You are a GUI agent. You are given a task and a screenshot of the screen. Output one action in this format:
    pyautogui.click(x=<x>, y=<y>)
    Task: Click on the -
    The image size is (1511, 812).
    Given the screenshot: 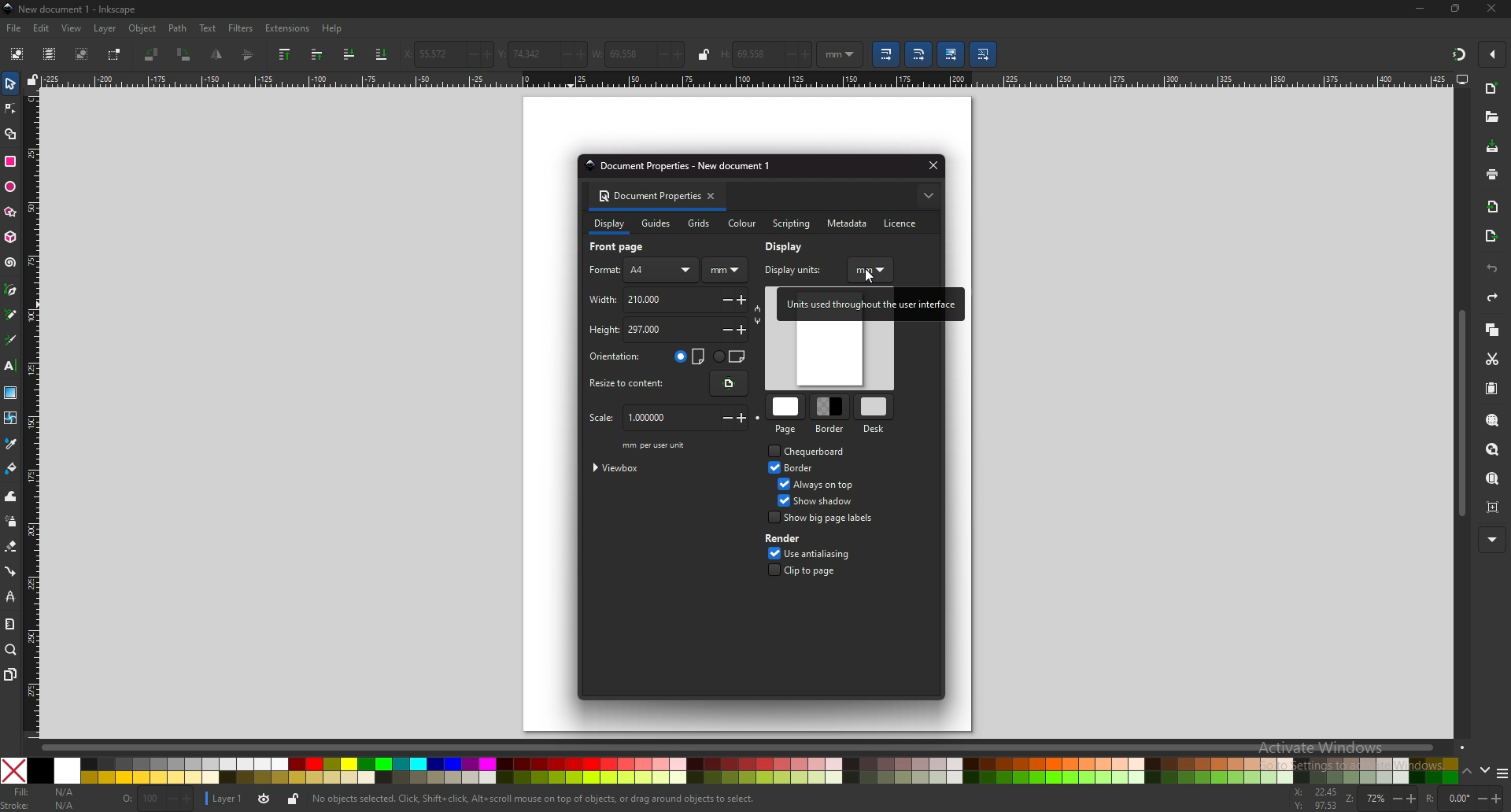 What is the action you would take?
    pyautogui.click(x=659, y=55)
    